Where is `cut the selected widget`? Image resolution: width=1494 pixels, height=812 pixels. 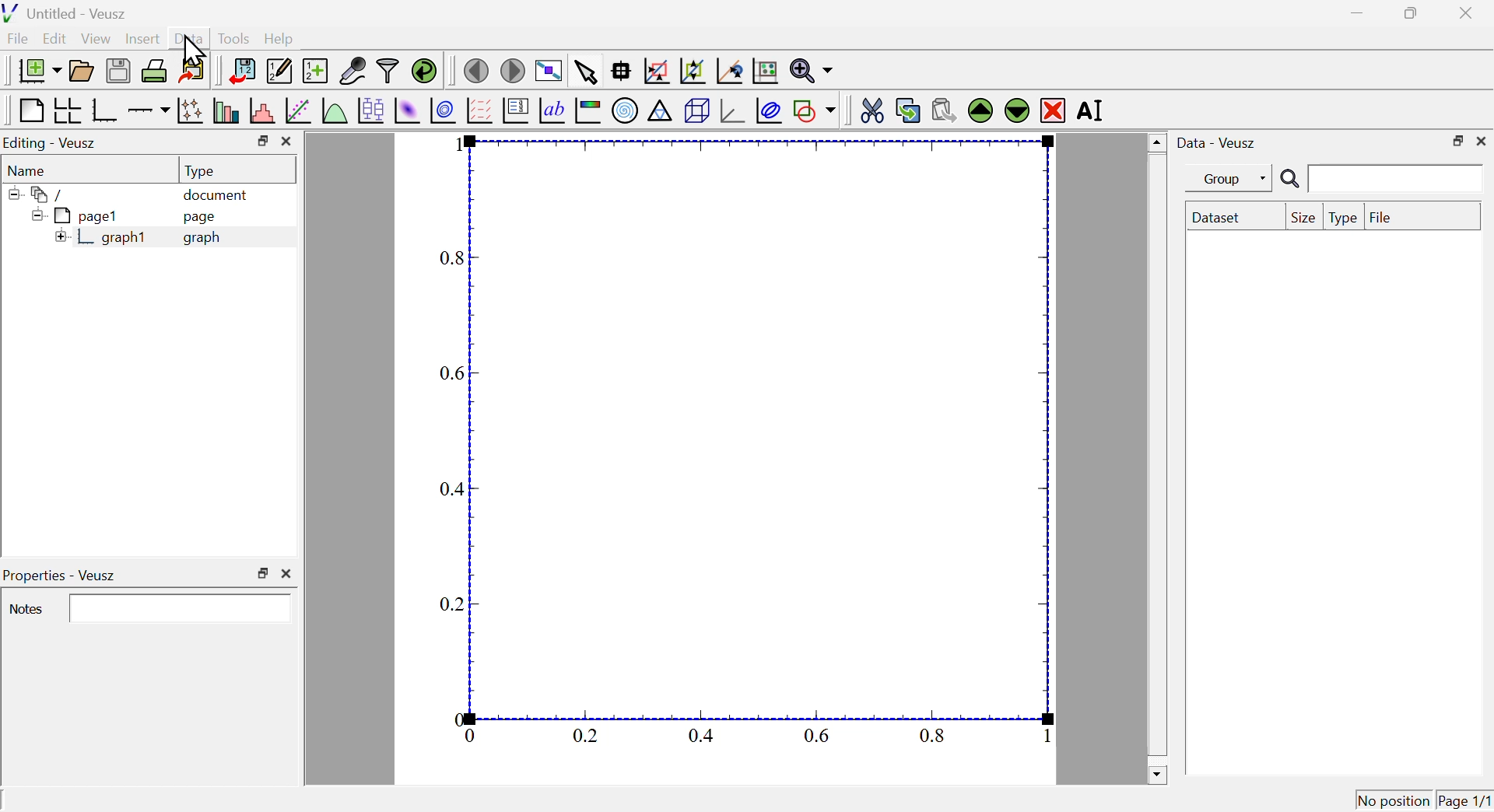
cut the selected widget is located at coordinates (869, 109).